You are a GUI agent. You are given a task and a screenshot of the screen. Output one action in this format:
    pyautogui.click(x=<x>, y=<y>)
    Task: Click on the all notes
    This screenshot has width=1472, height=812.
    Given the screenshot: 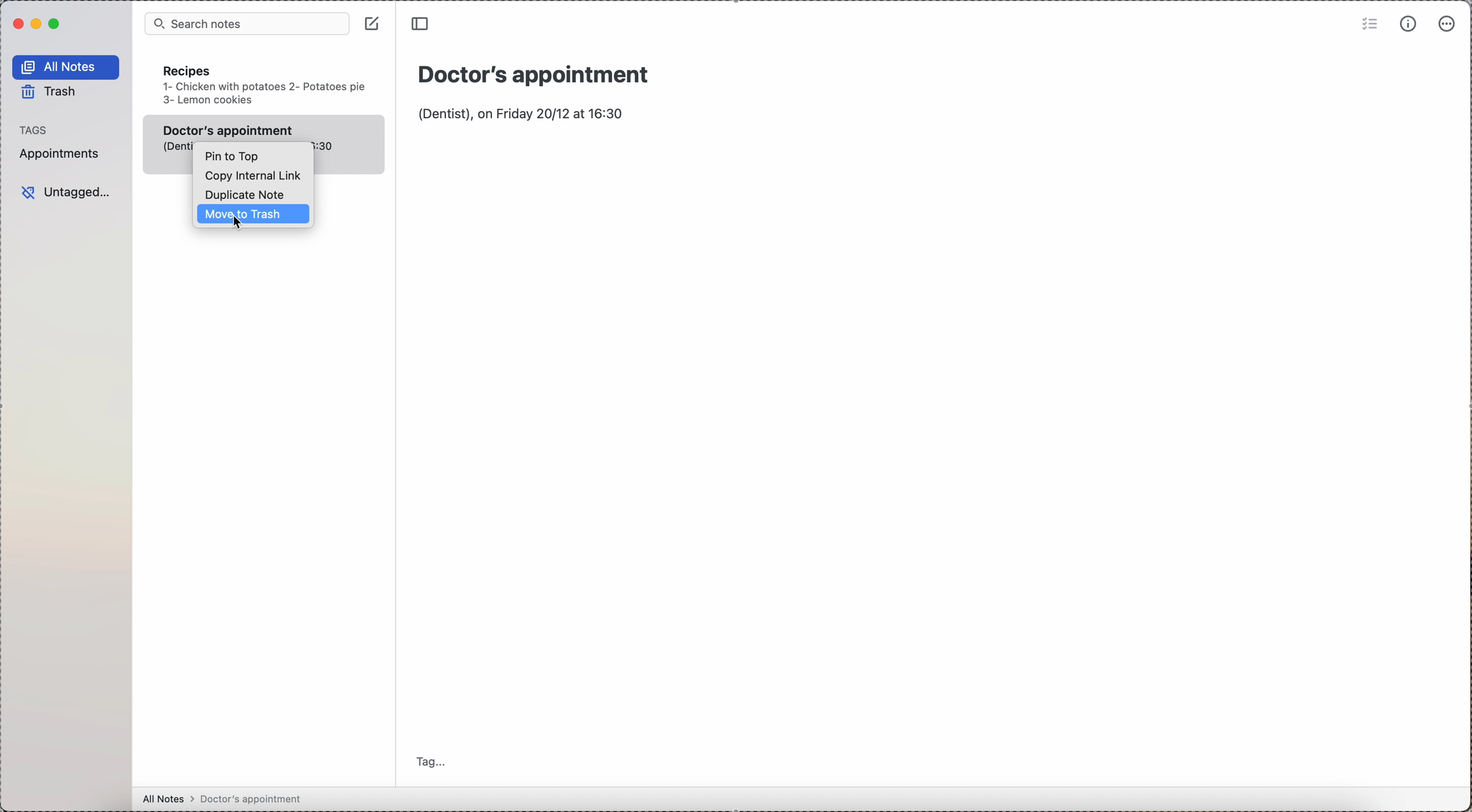 What is the action you would take?
    pyautogui.click(x=66, y=67)
    